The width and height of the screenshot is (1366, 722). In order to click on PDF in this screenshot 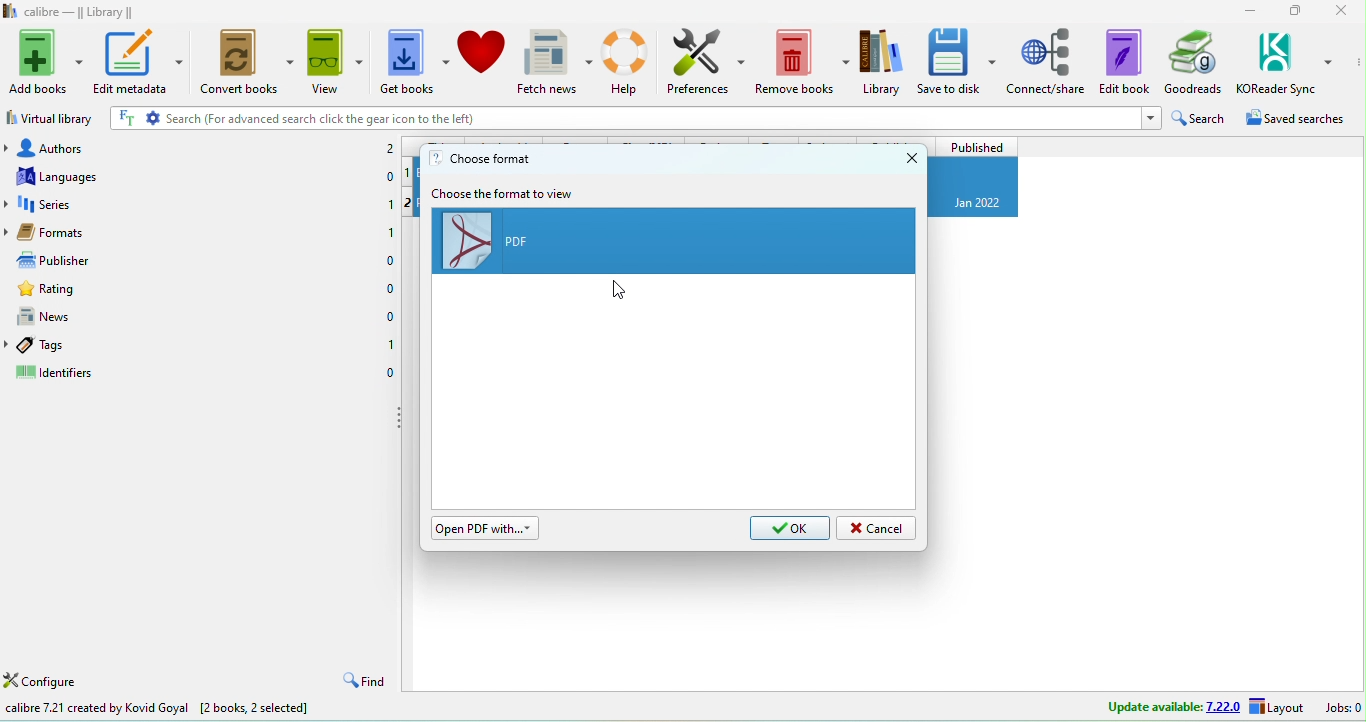, I will do `click(676, 243)`.